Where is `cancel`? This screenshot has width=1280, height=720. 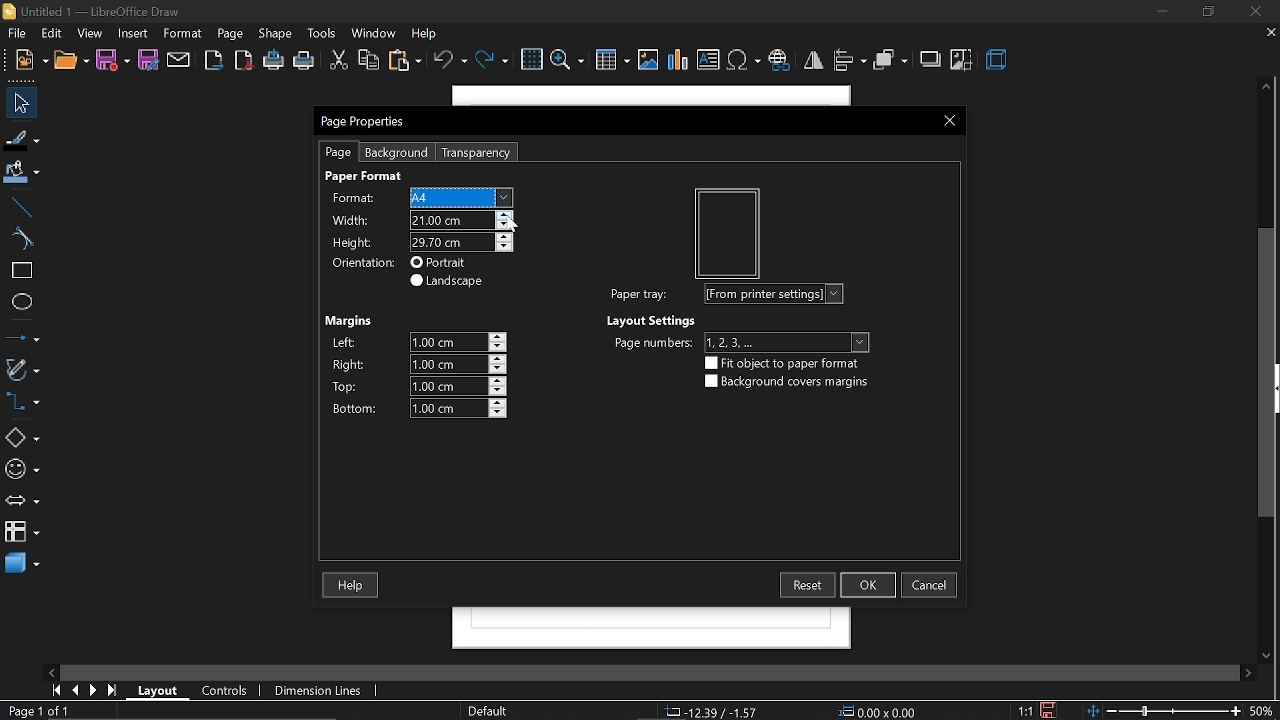 cancel is located at coordinates (930, 585).